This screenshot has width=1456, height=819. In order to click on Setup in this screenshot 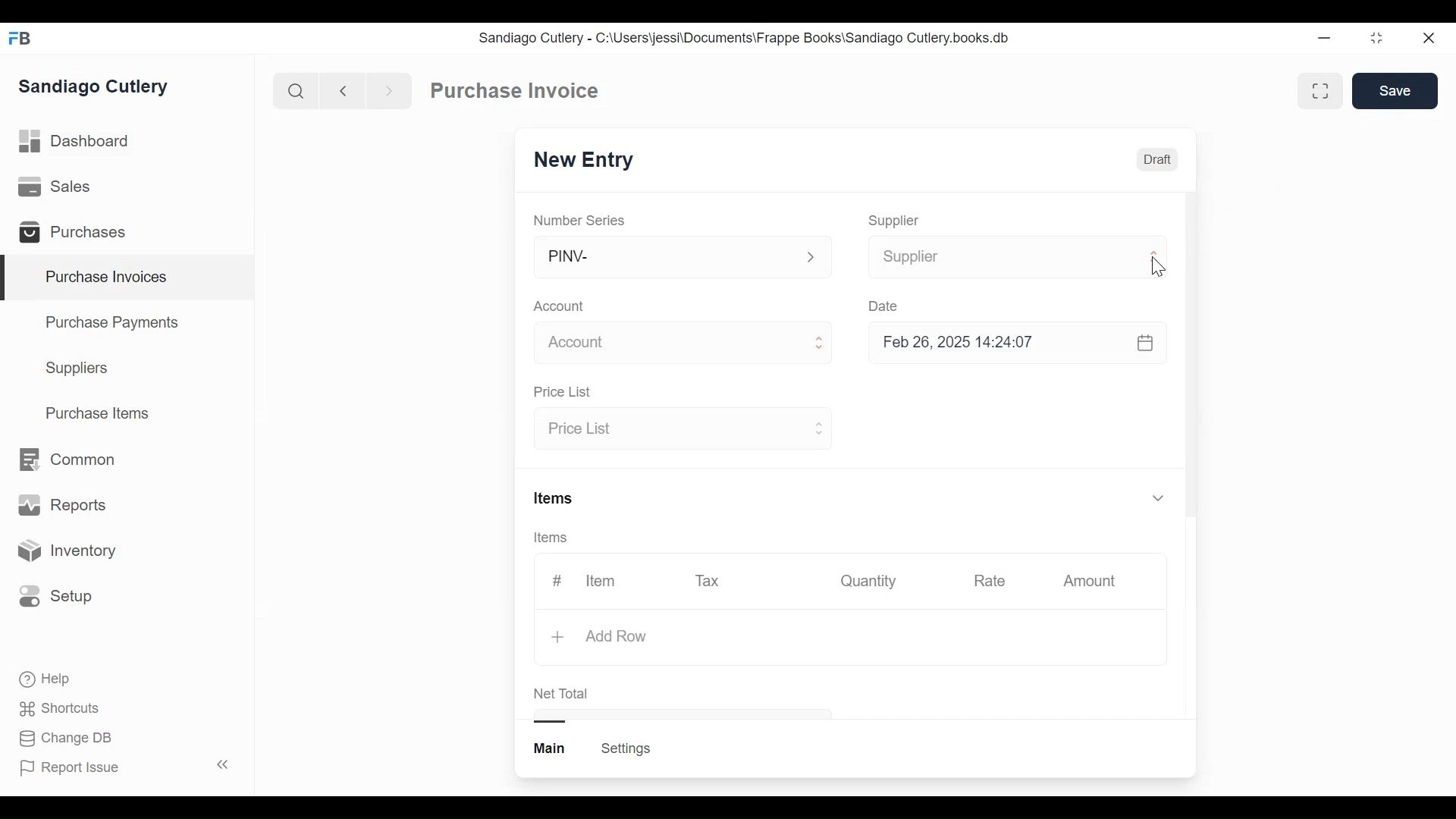, I will do `click(56, 595)`.